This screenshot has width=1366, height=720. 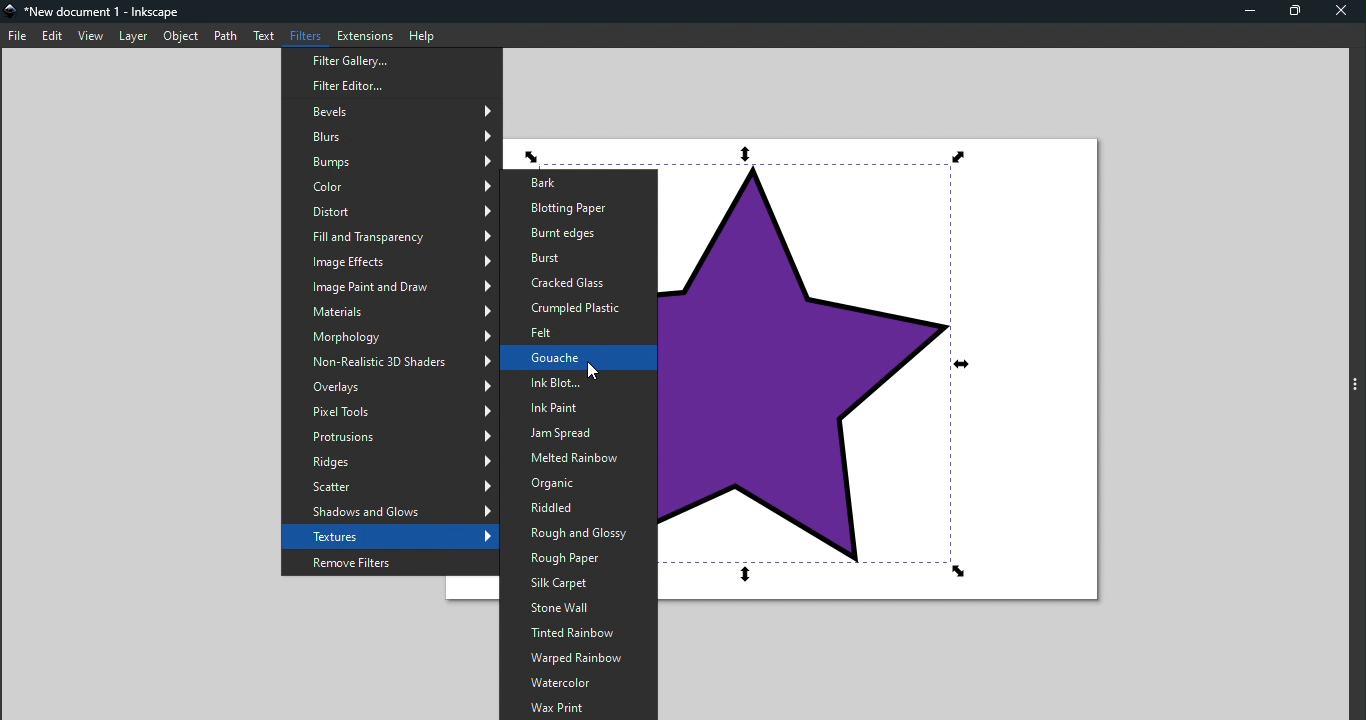 What do you see at coordinates (388, 309) in the screenshot?
I see `Materials` at bounding box center [388, 309].